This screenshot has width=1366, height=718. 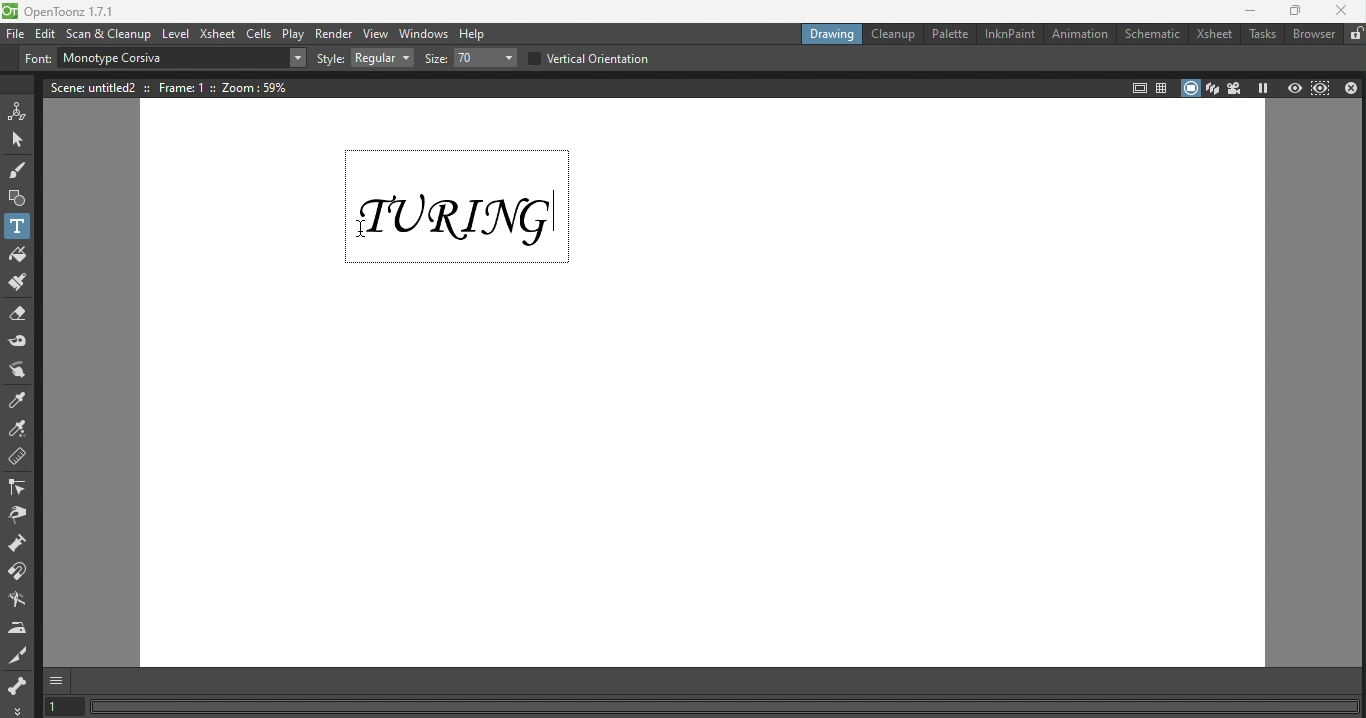 I want to click on InknPaint, so click(x=1007, y=35).